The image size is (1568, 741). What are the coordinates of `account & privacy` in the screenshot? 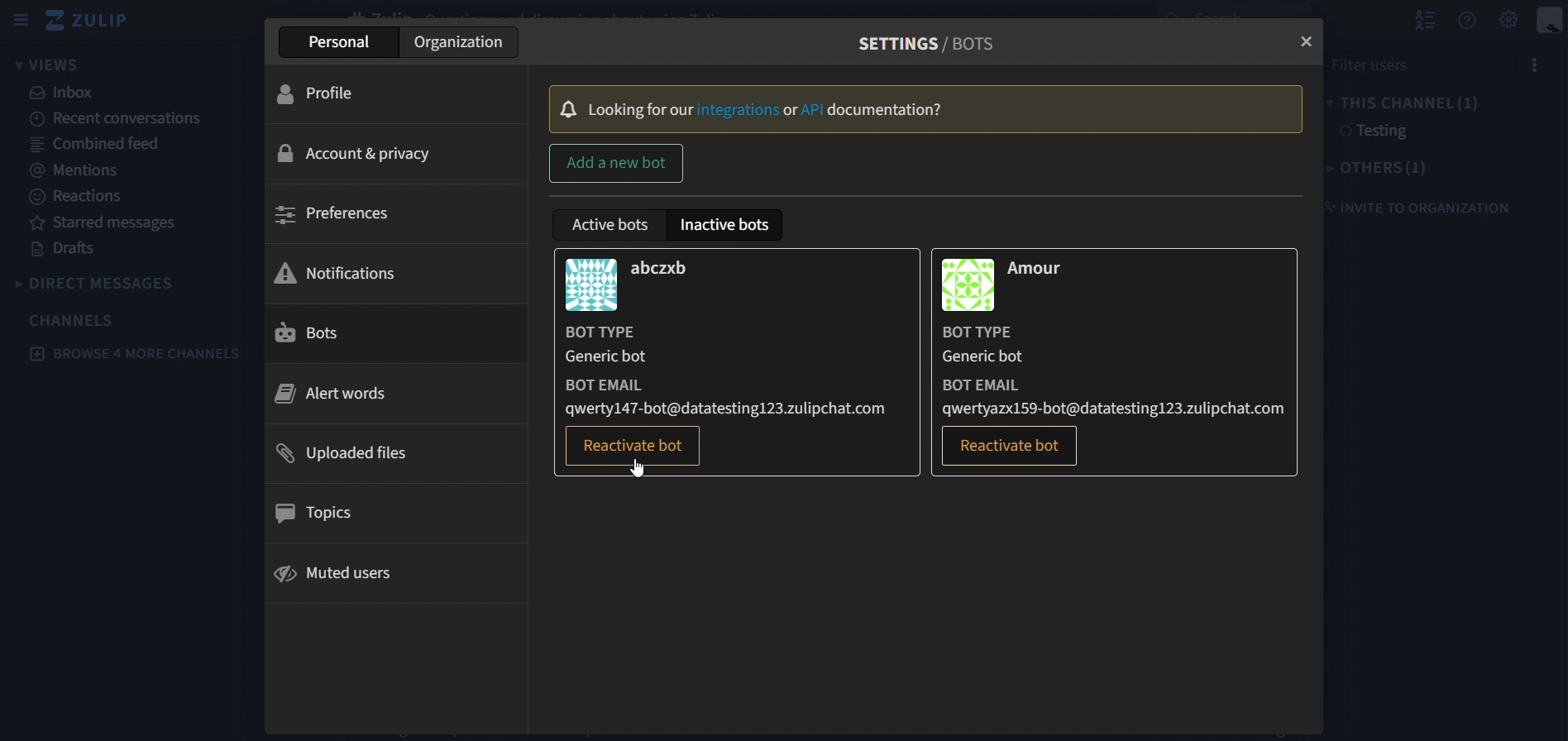 It's located at (355, 152).